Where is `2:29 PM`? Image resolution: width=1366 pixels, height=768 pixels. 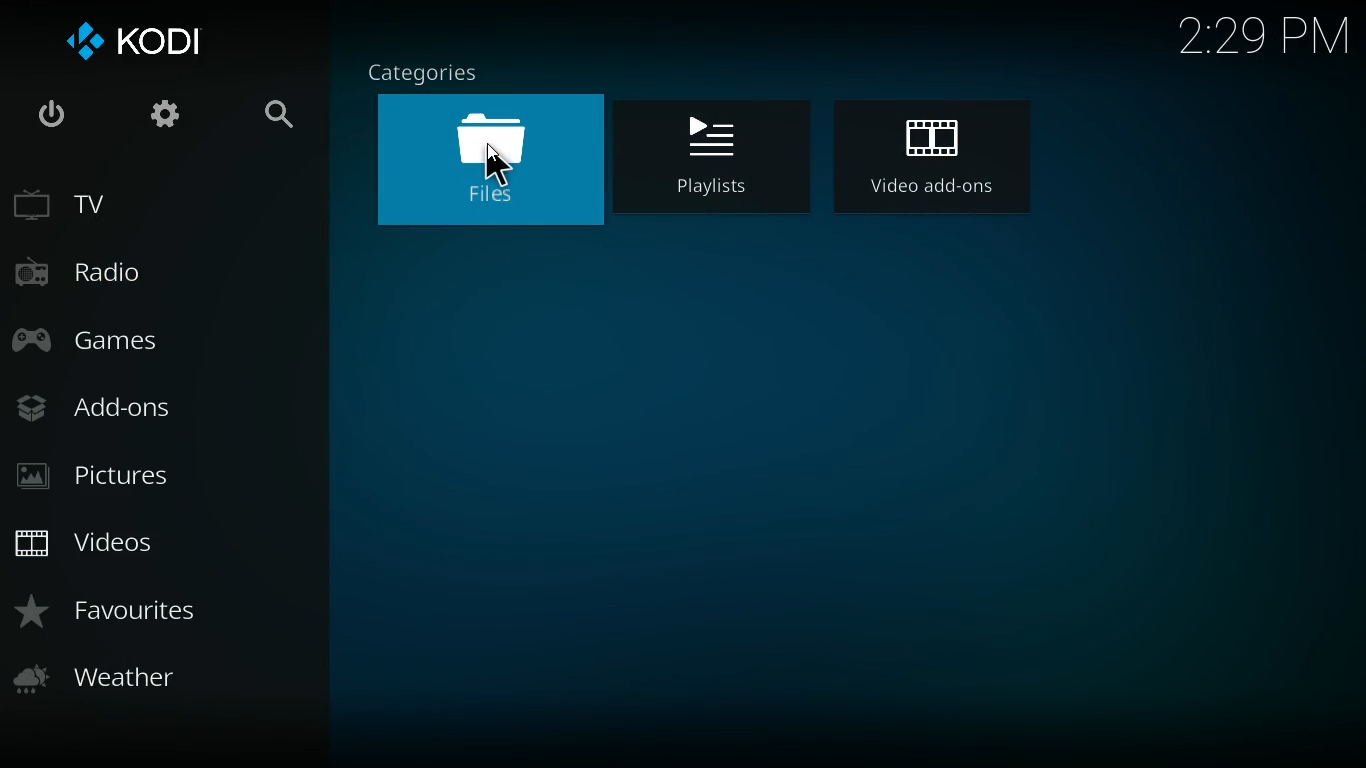
2:29 PM is located at coordinates (1263, 36).